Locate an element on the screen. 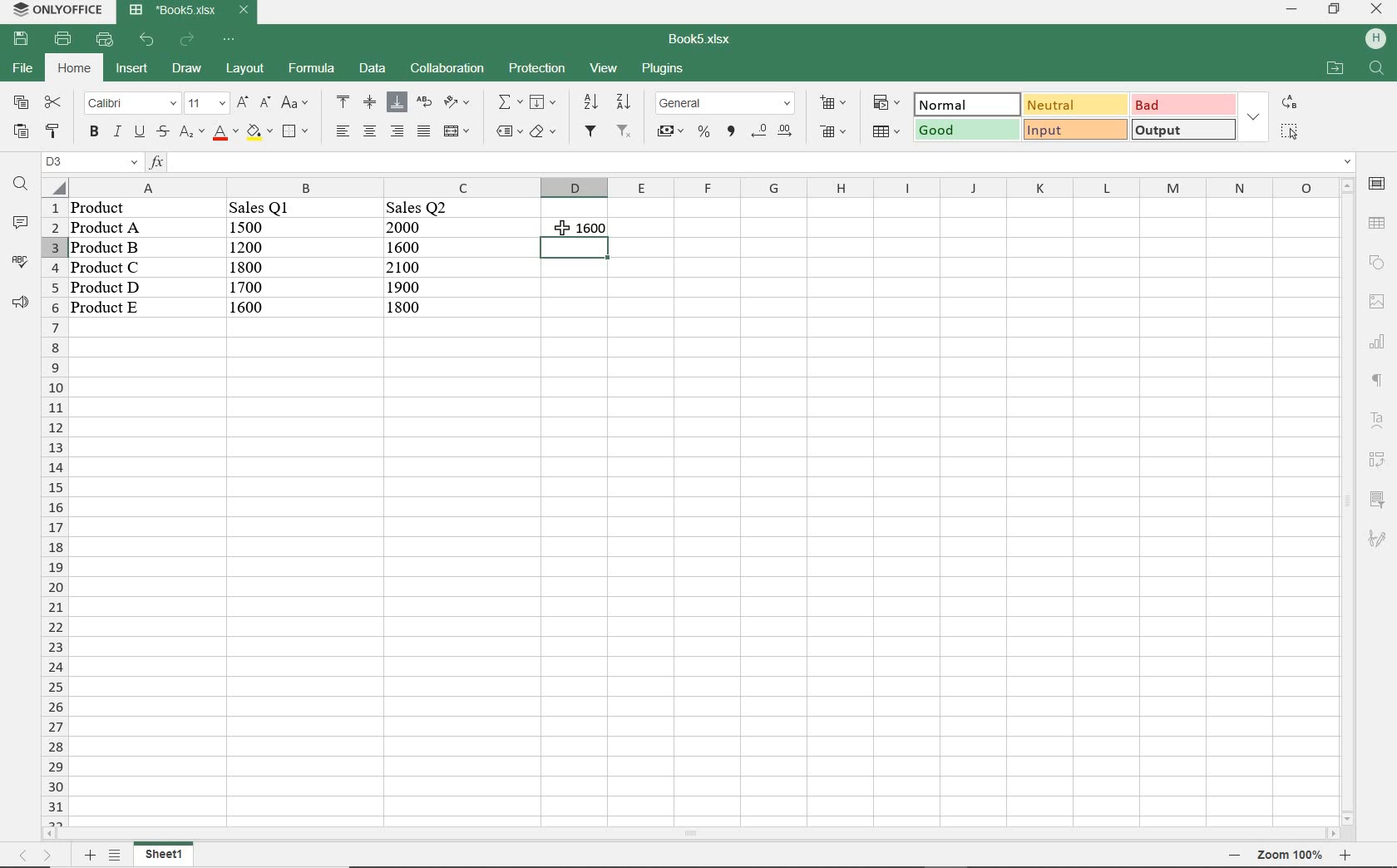 The width and height of the screenshot is (1397, 868). insert cells is located at coordinates (831, 104).